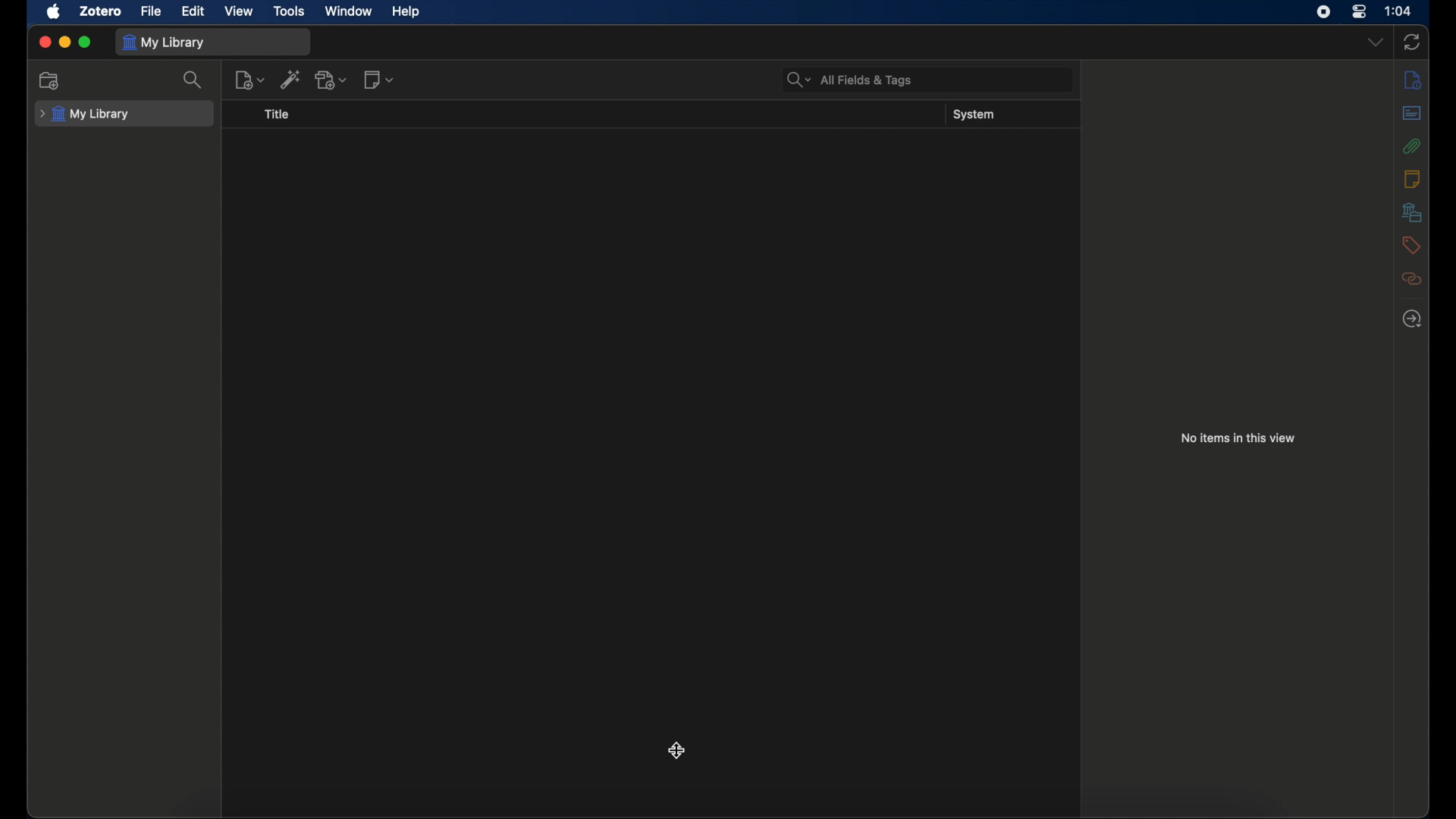  Describe the element at coordinates (152, 11) in the screenshot. I see `file` at that location.